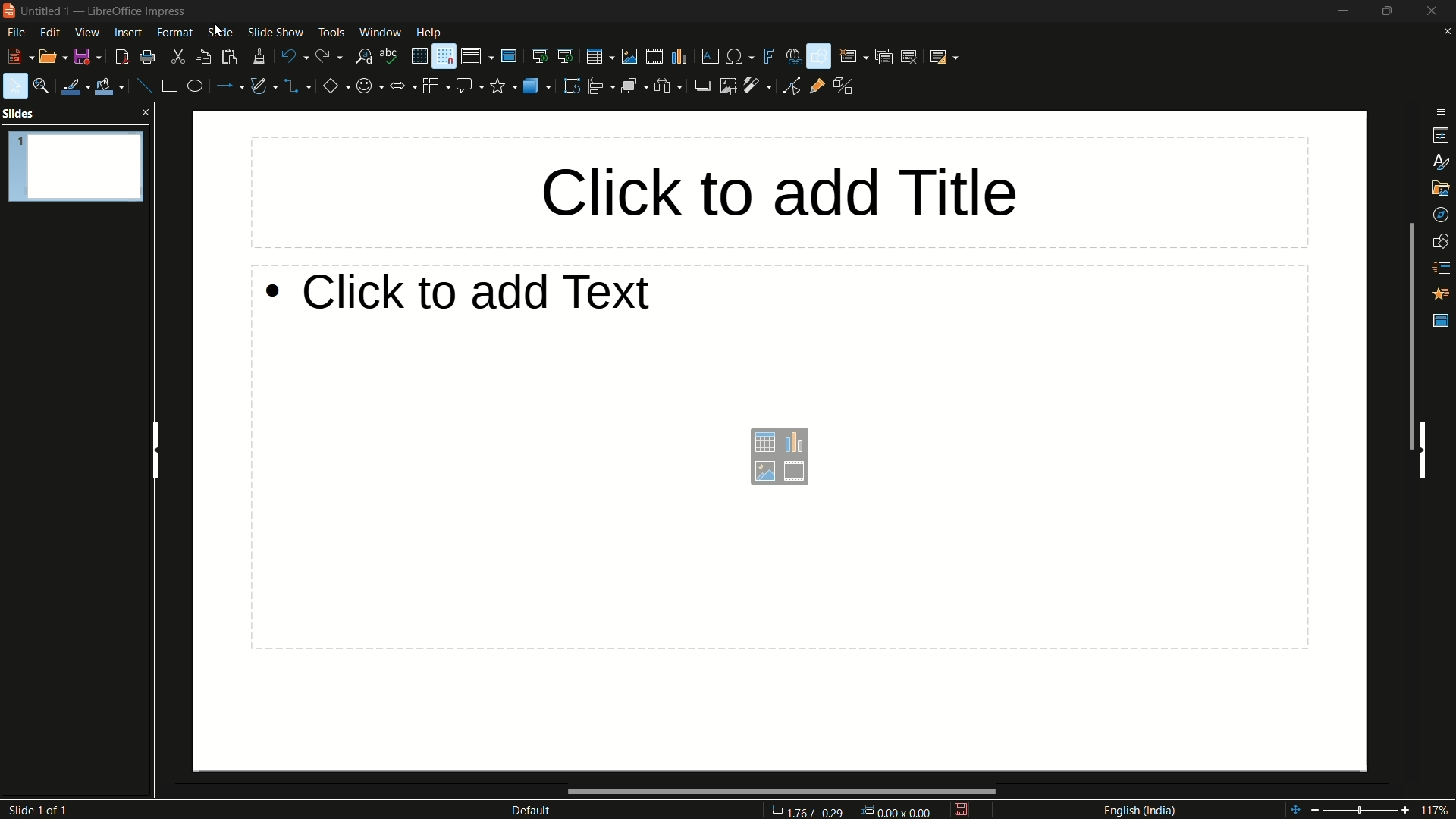 The width and height of the screenshot is (1456, 819). What do you see at coordinates (297, 87) in the screenshot?
I see `connectors` at bounding box center [297, 87].